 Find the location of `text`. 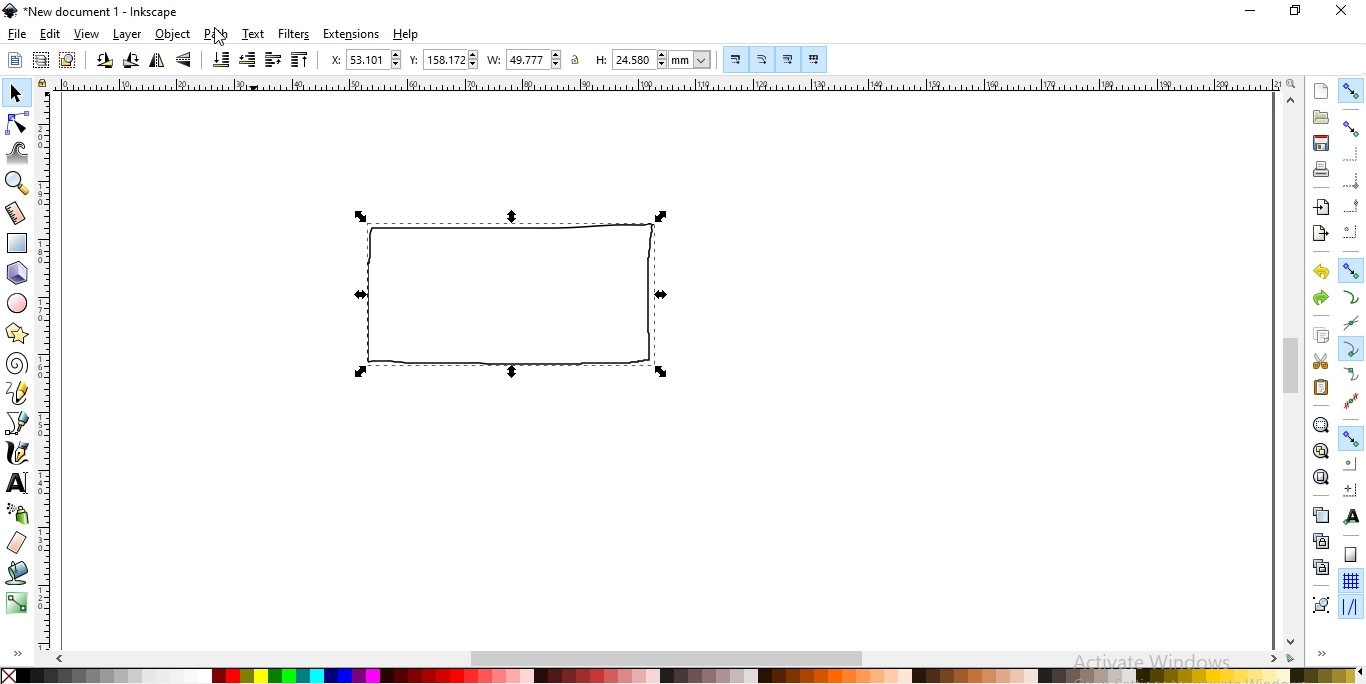

text is located at coordinates (254, 32).